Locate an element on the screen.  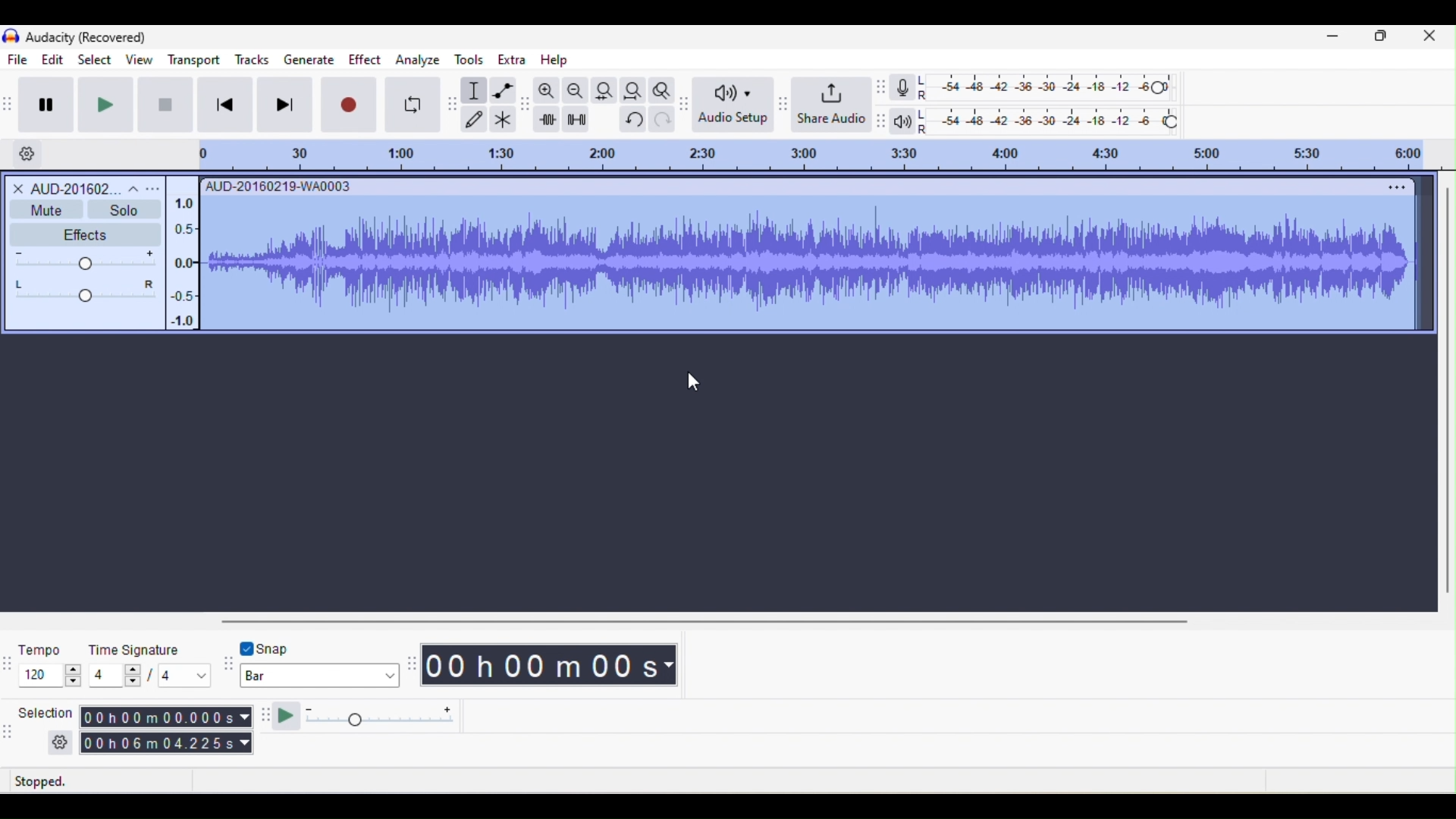
playback level is located at coordinates (1049, 119).